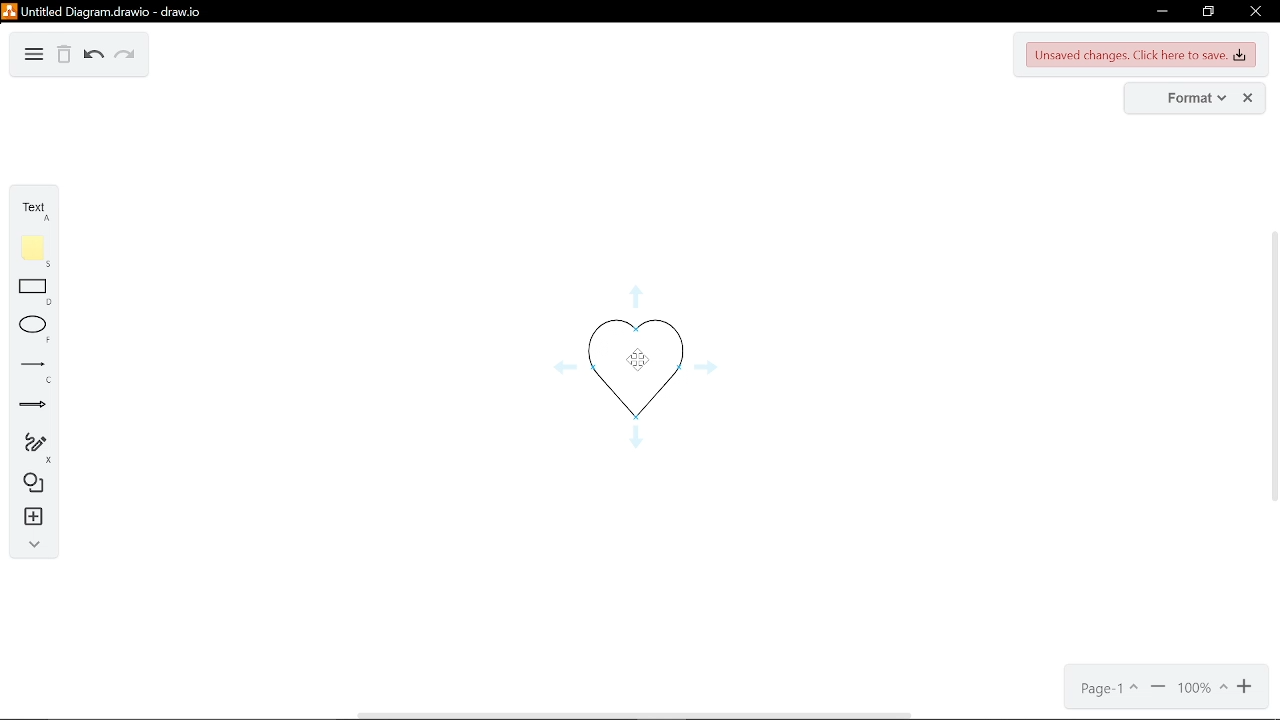 The height and width of the screenshot is (720, 1280). Describe the element at coordinates (31, 210) in the screenshot. I see `text` at that location.